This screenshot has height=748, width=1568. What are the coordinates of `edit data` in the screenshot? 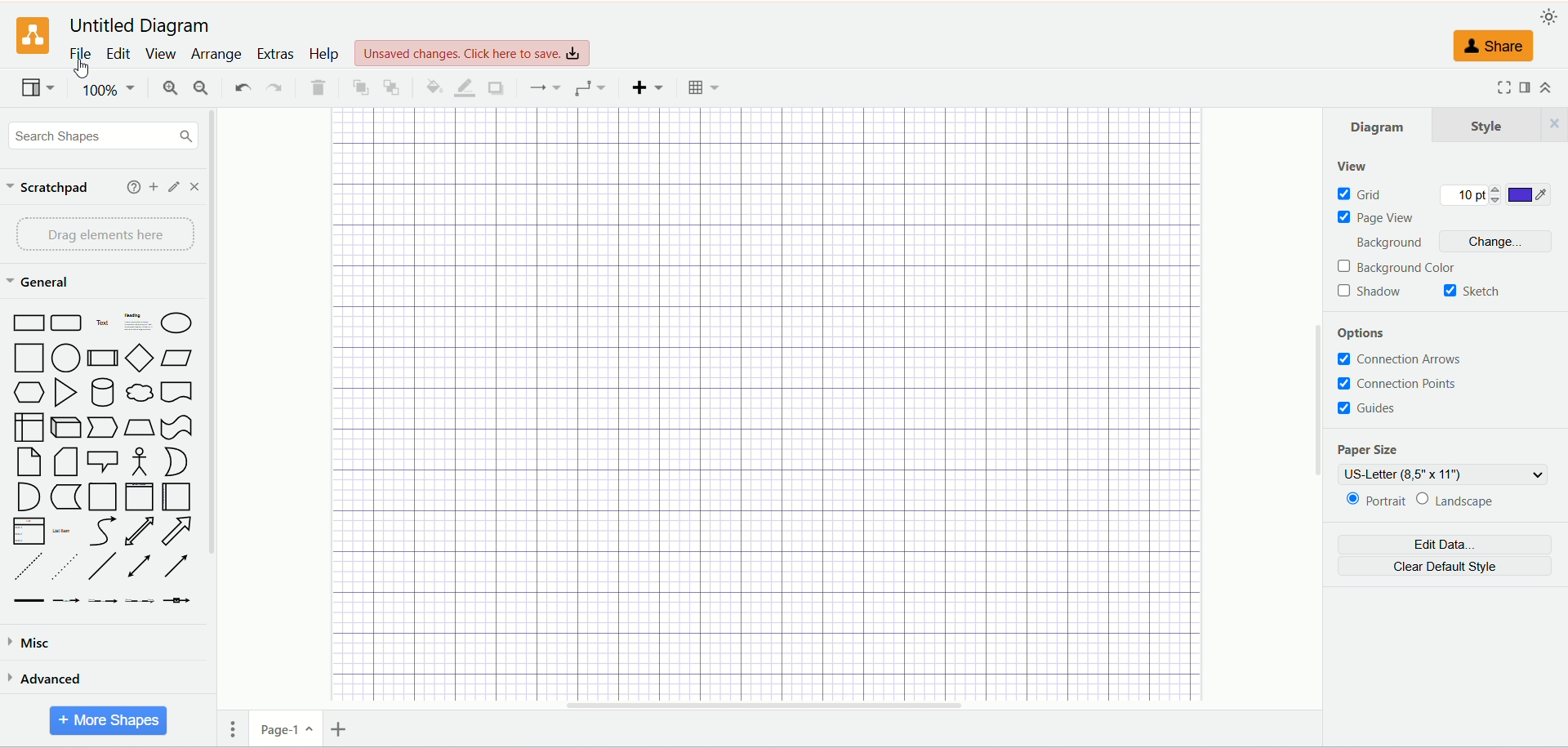 It's located at (1444, 546).